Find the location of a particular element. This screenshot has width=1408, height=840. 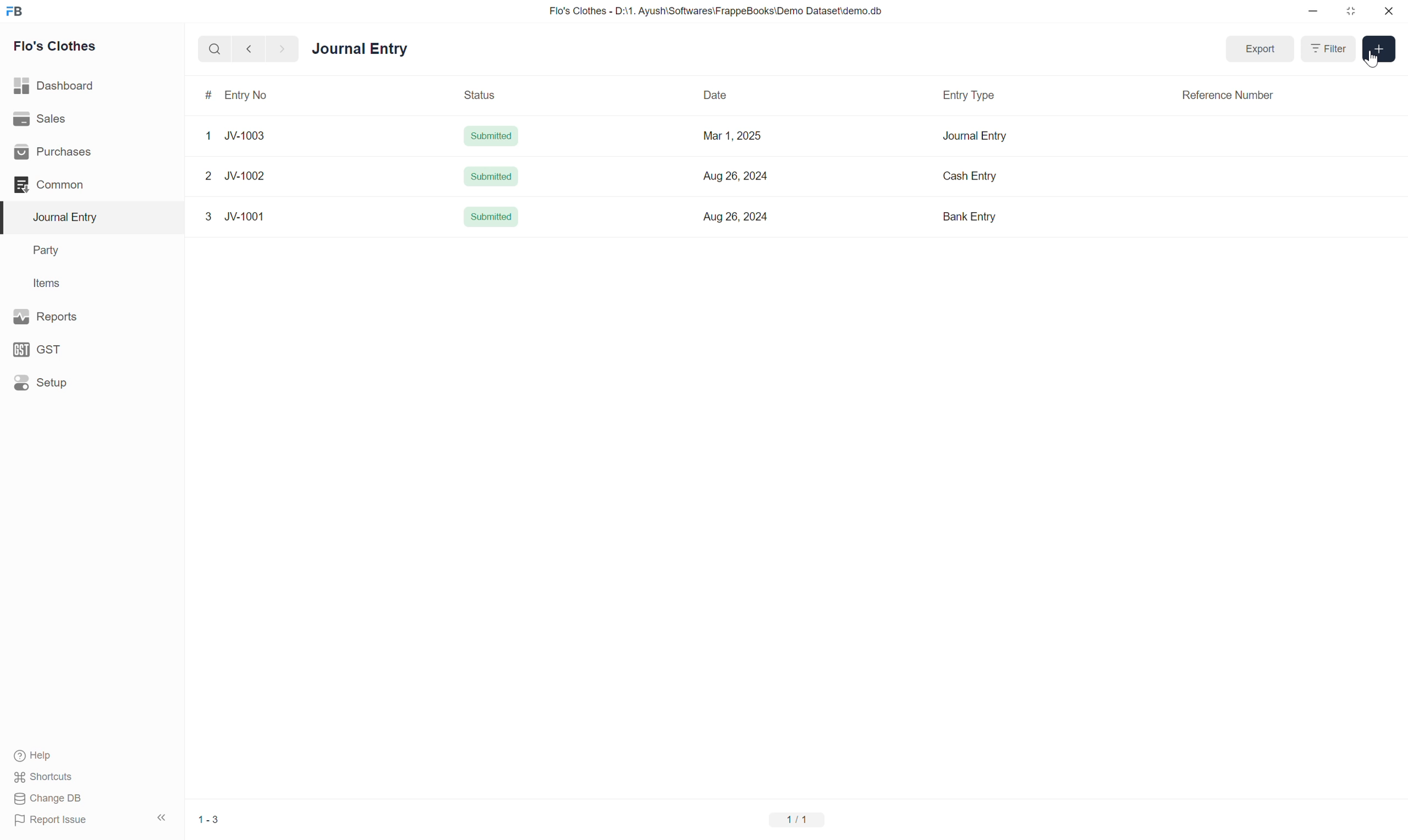

Bank Entry is located at coordinates (972, 216).